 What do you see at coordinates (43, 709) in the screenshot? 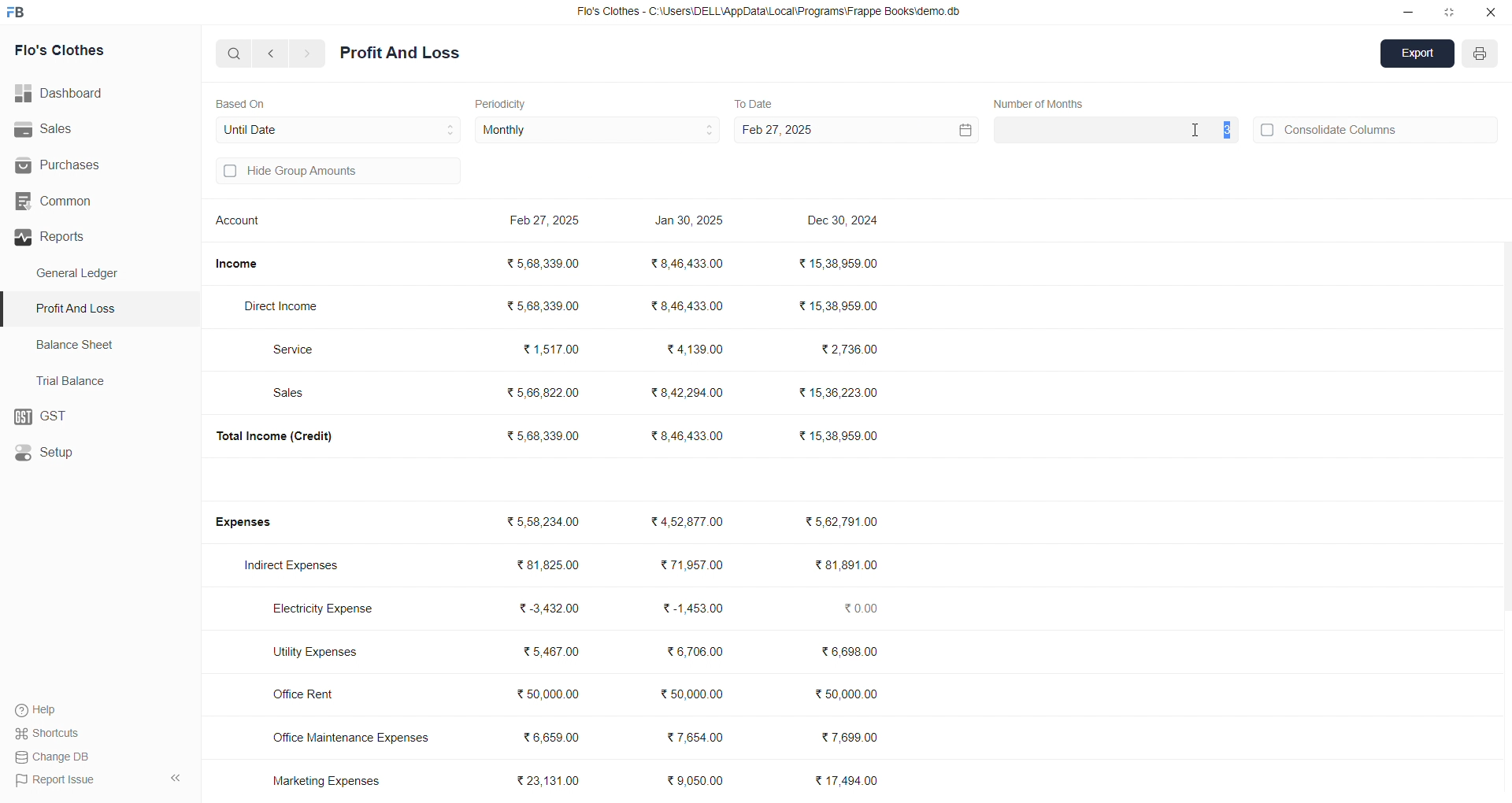
I see `Help` at bounding box center [43, 709].